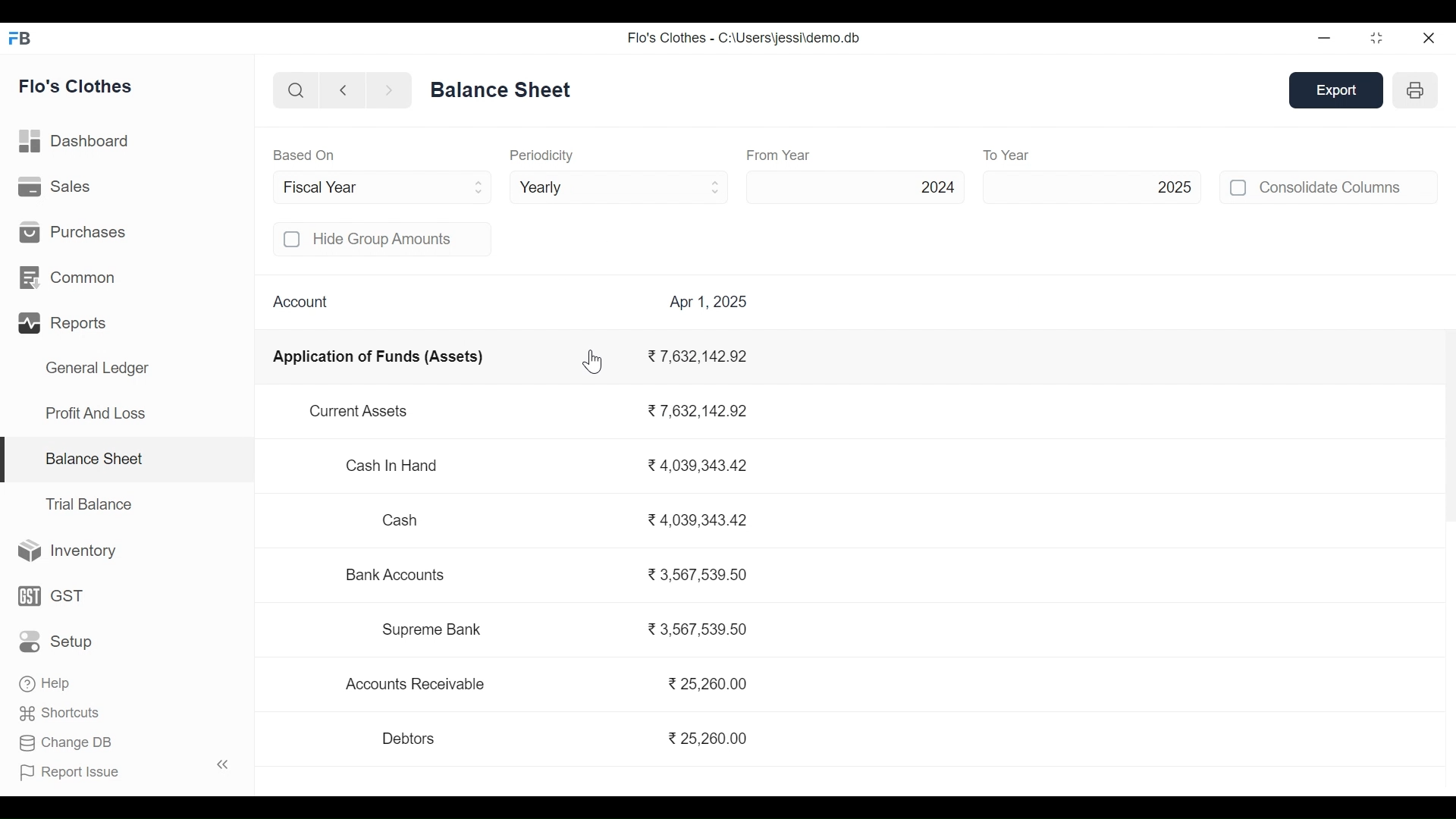 The width and height of the screenshot is (1456, 819). Describe the element at coordinates (563, 632) in the screenshot. I see `Supreme Bank % 3,567,539.50` at that location.